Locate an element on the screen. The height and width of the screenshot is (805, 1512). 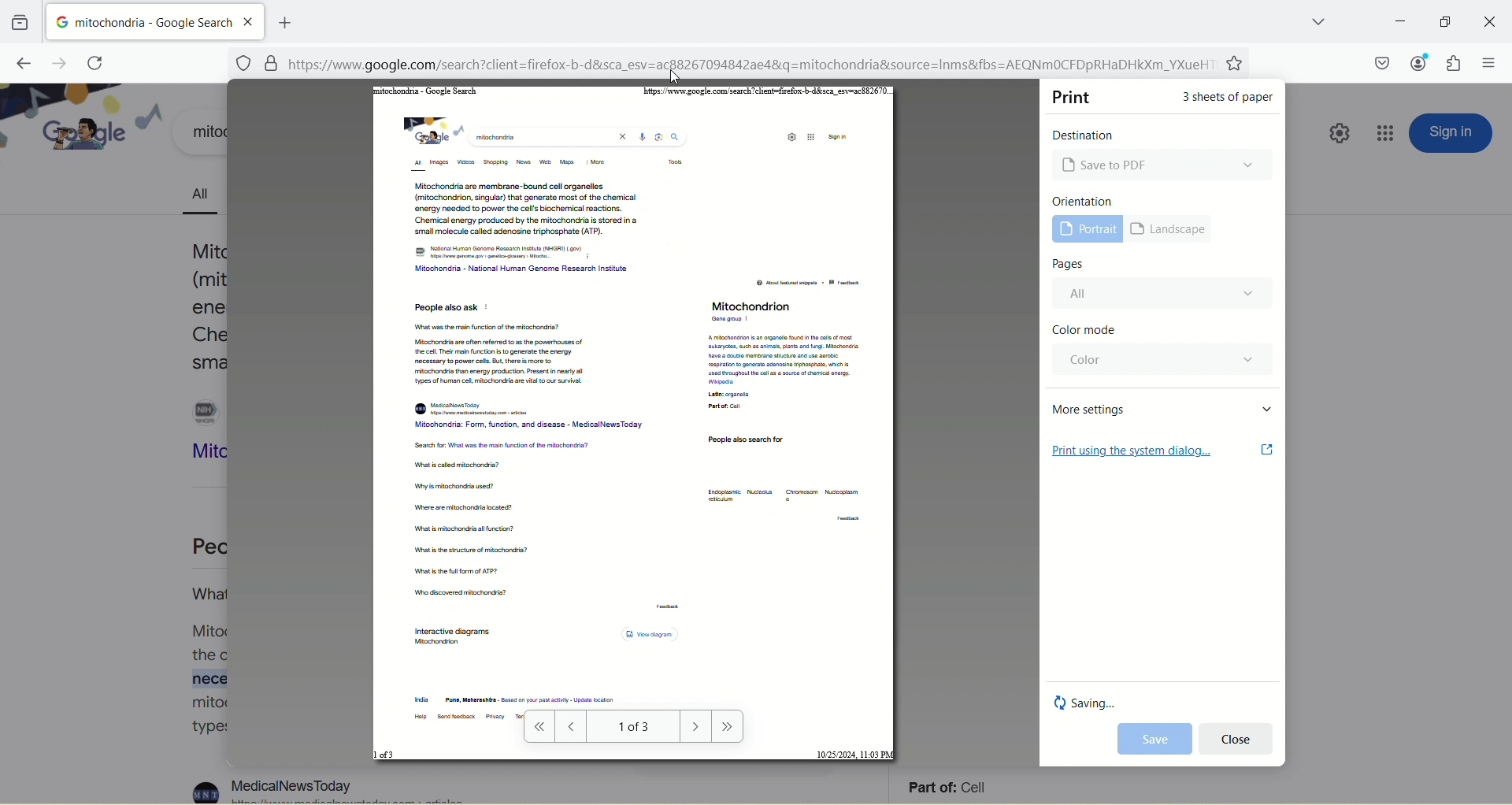
save to pocket is located at coordinates (1381, 63).